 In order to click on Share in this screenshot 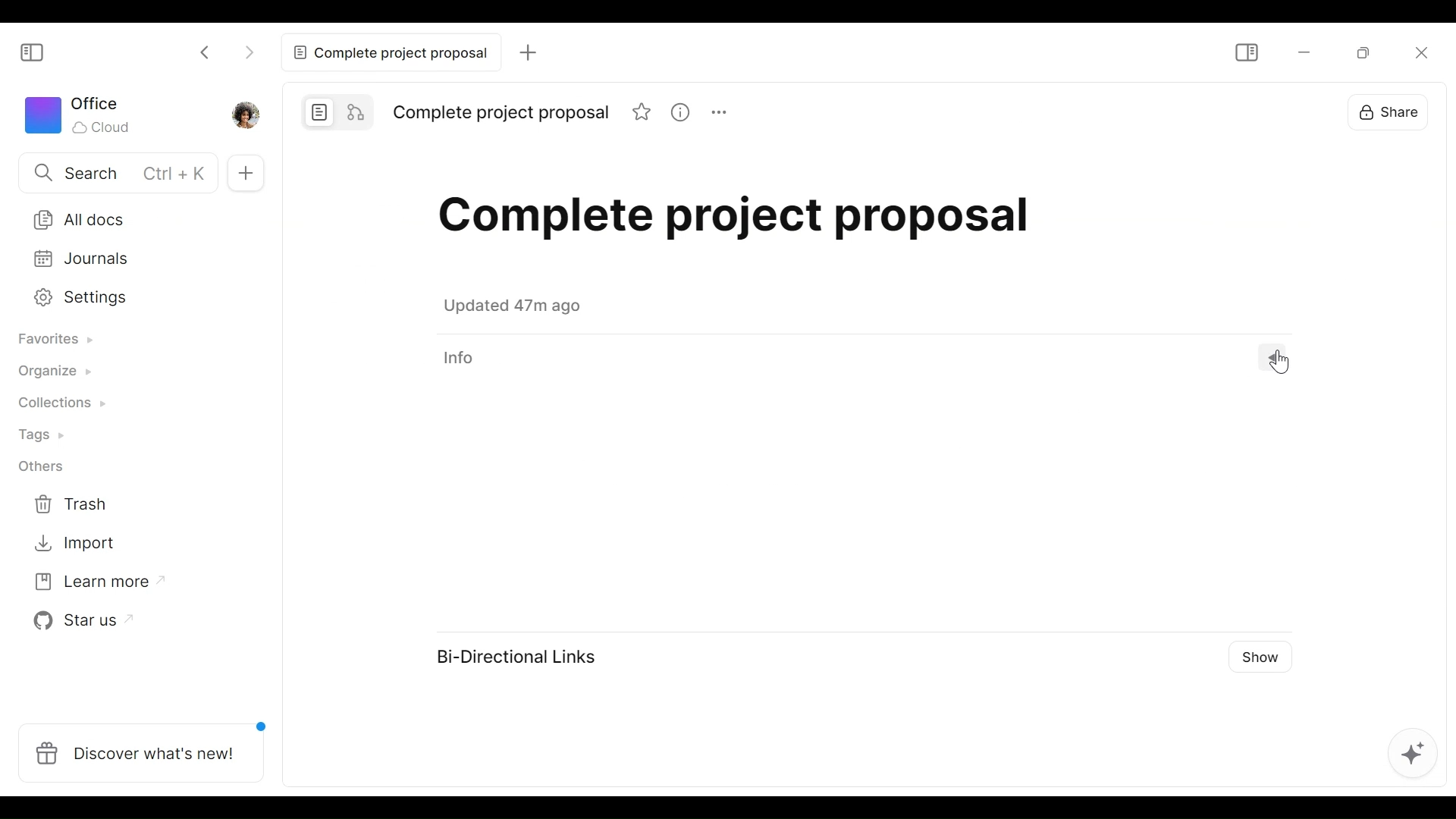, I will do `click(1391, 111)`.